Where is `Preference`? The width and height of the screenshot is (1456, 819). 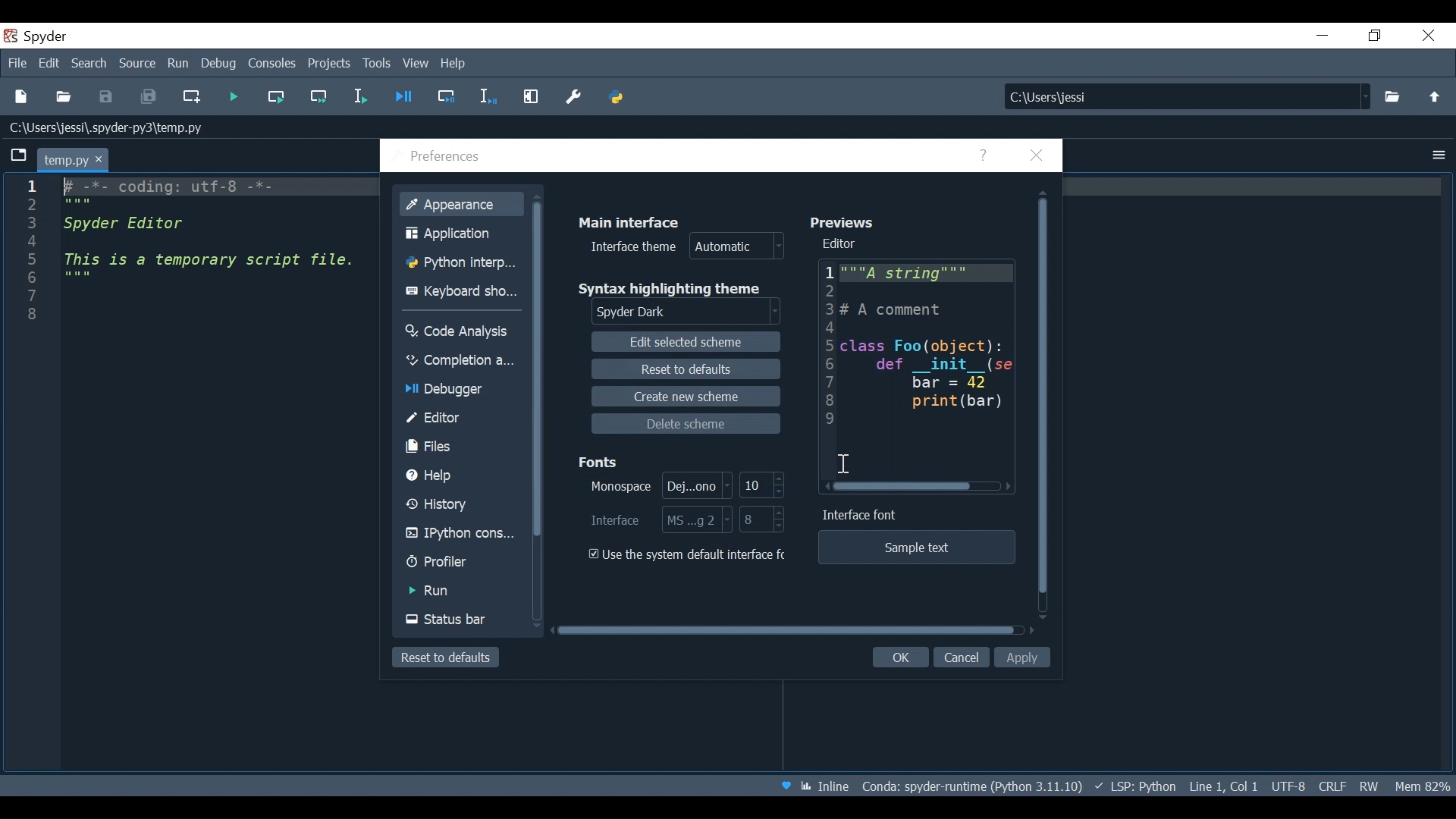
Preference is located at coordinates (571, 98).